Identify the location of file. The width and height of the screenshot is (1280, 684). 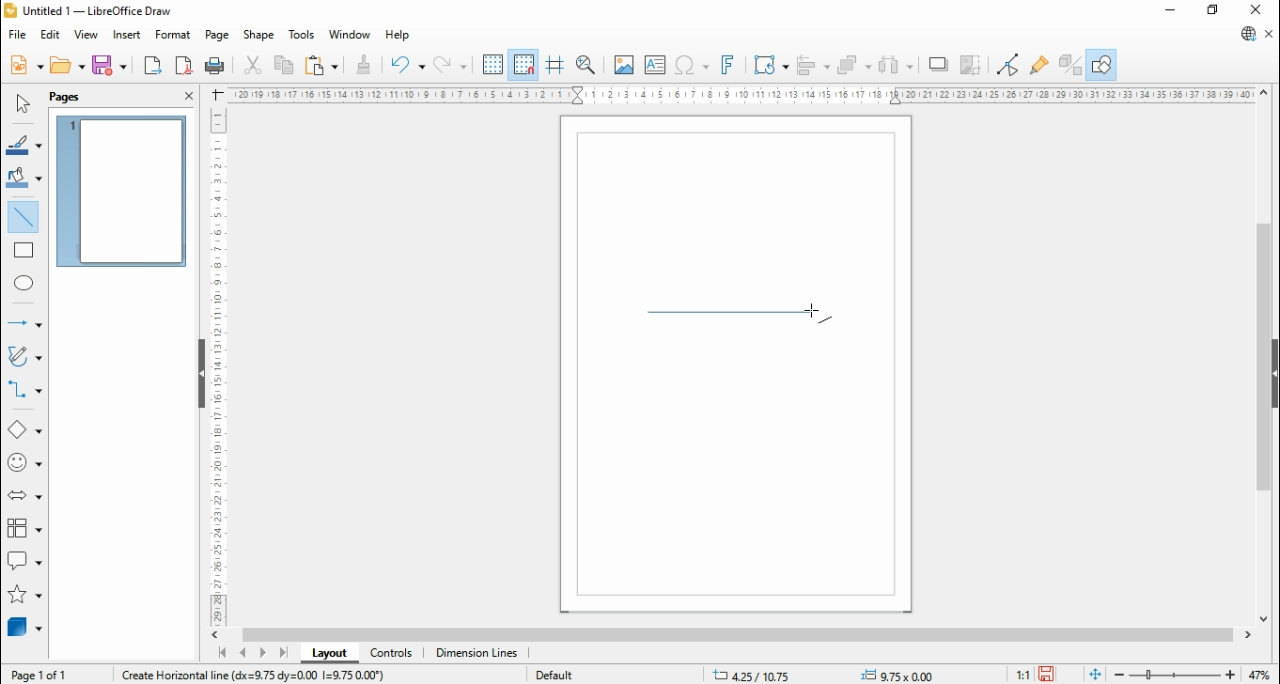
(16, 35).